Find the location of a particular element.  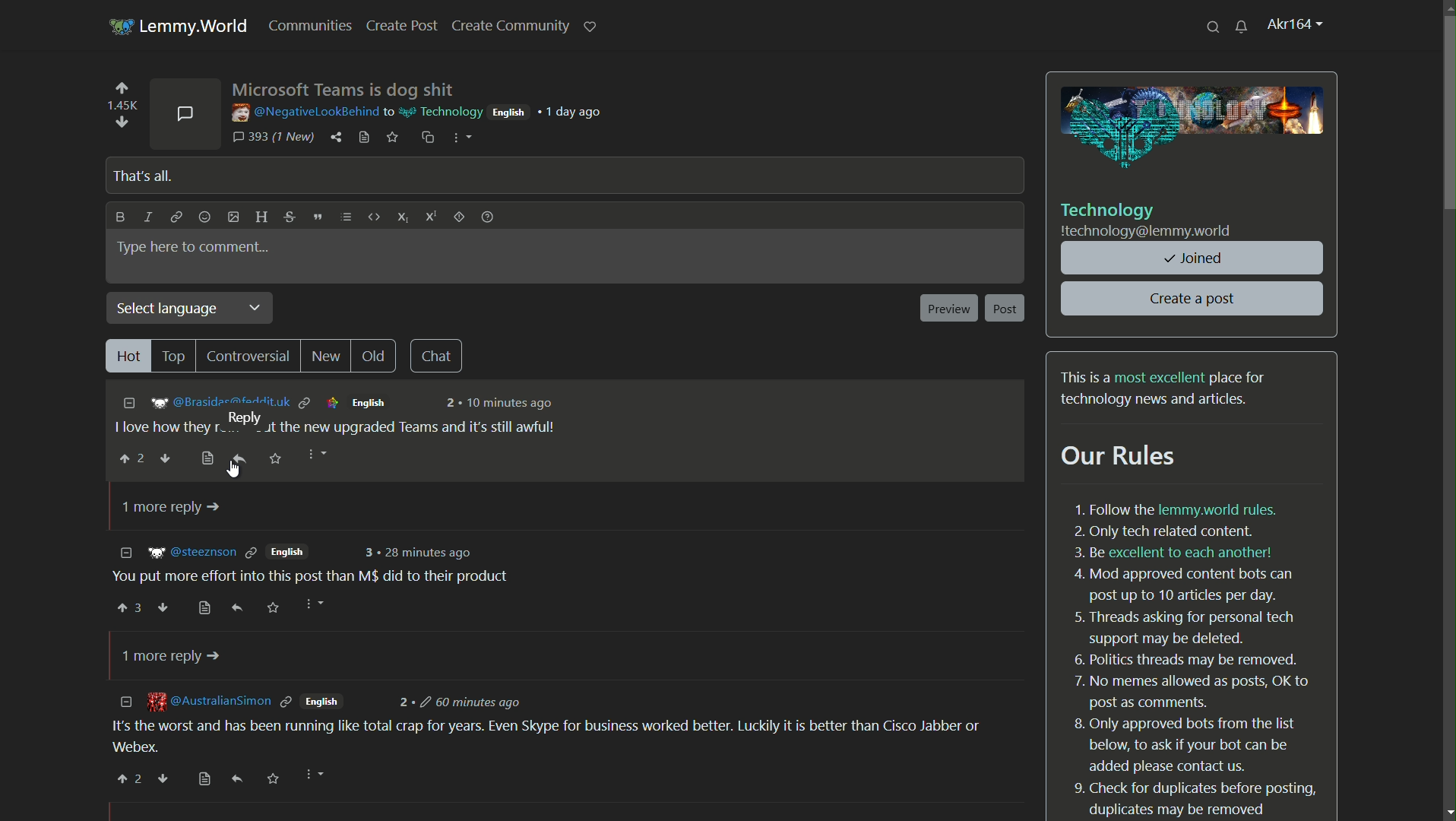

copy is located at coordinates (426, 137).